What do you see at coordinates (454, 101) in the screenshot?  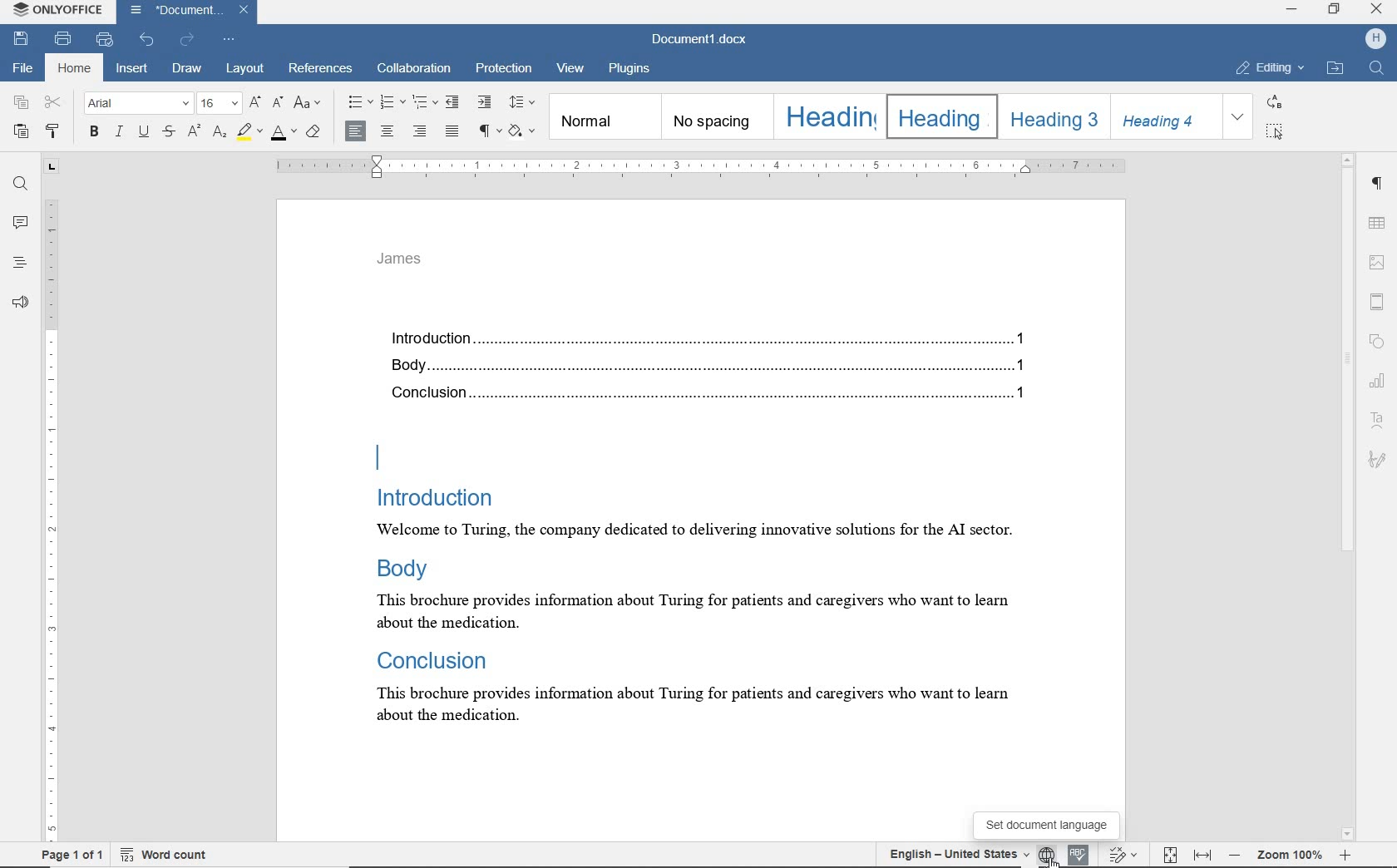 I see `decrease indent` at bounding box center [454, 101].